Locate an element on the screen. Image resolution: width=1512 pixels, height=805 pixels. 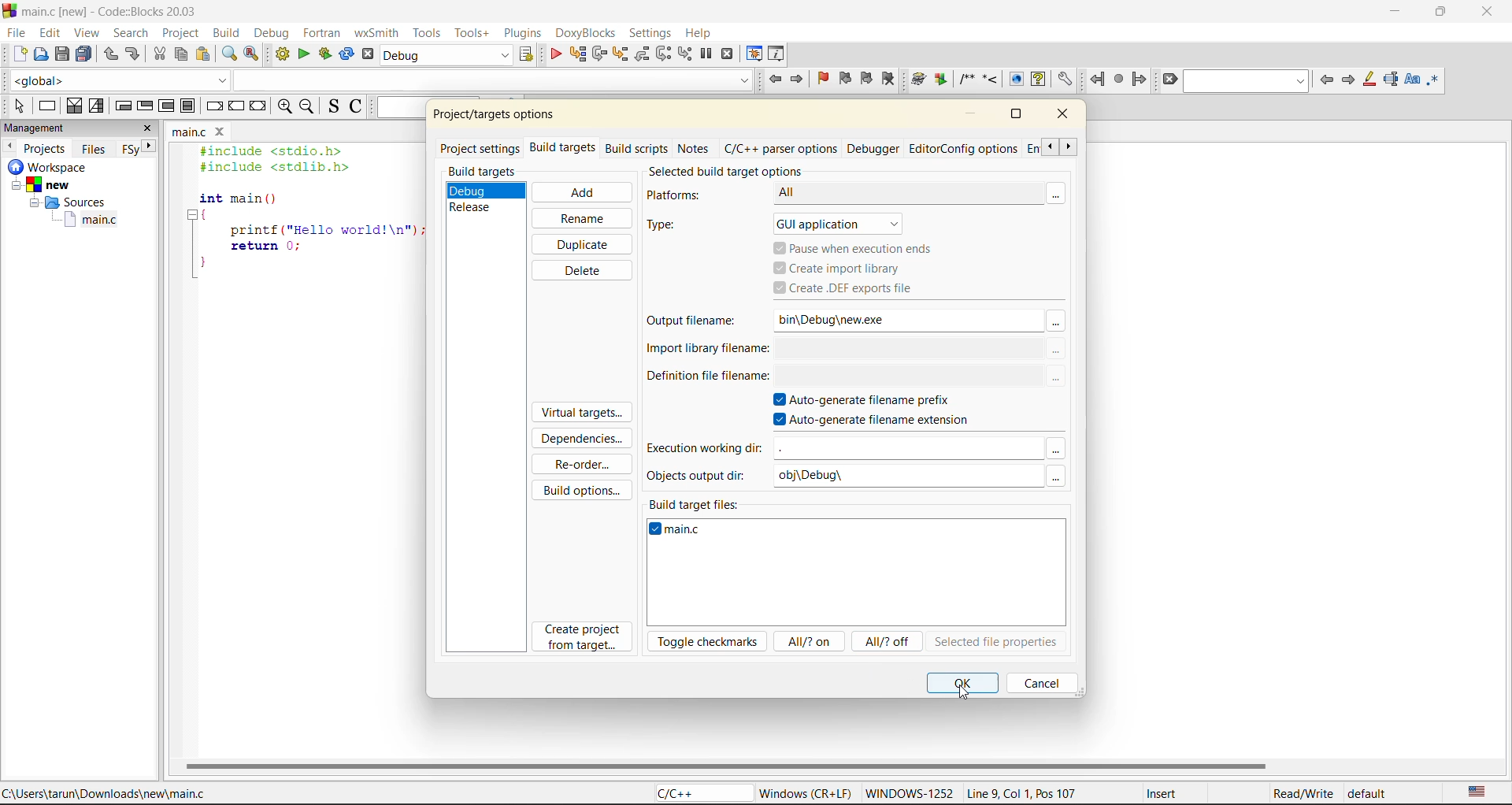
<global> is located at coordinates (118, 80).